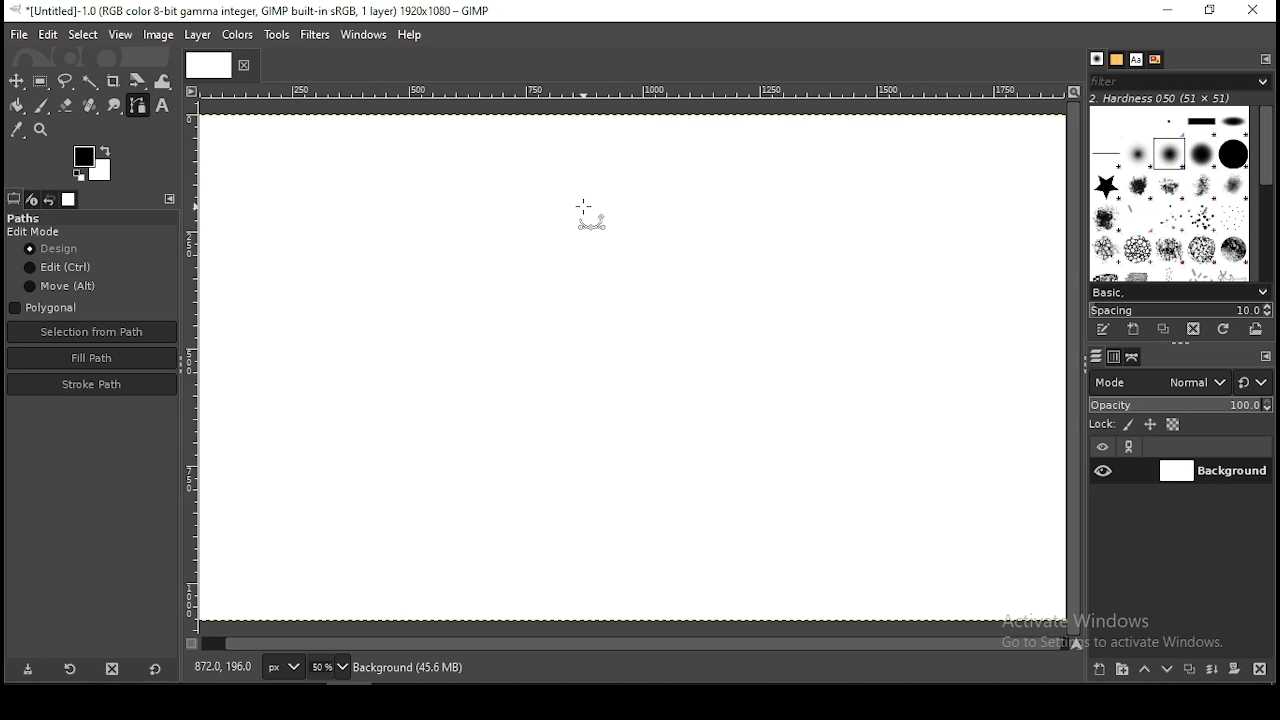  What do you see at coordinates (115, 80) in the screenshot?
I see `crop tool` at bounding box center [115, 80].